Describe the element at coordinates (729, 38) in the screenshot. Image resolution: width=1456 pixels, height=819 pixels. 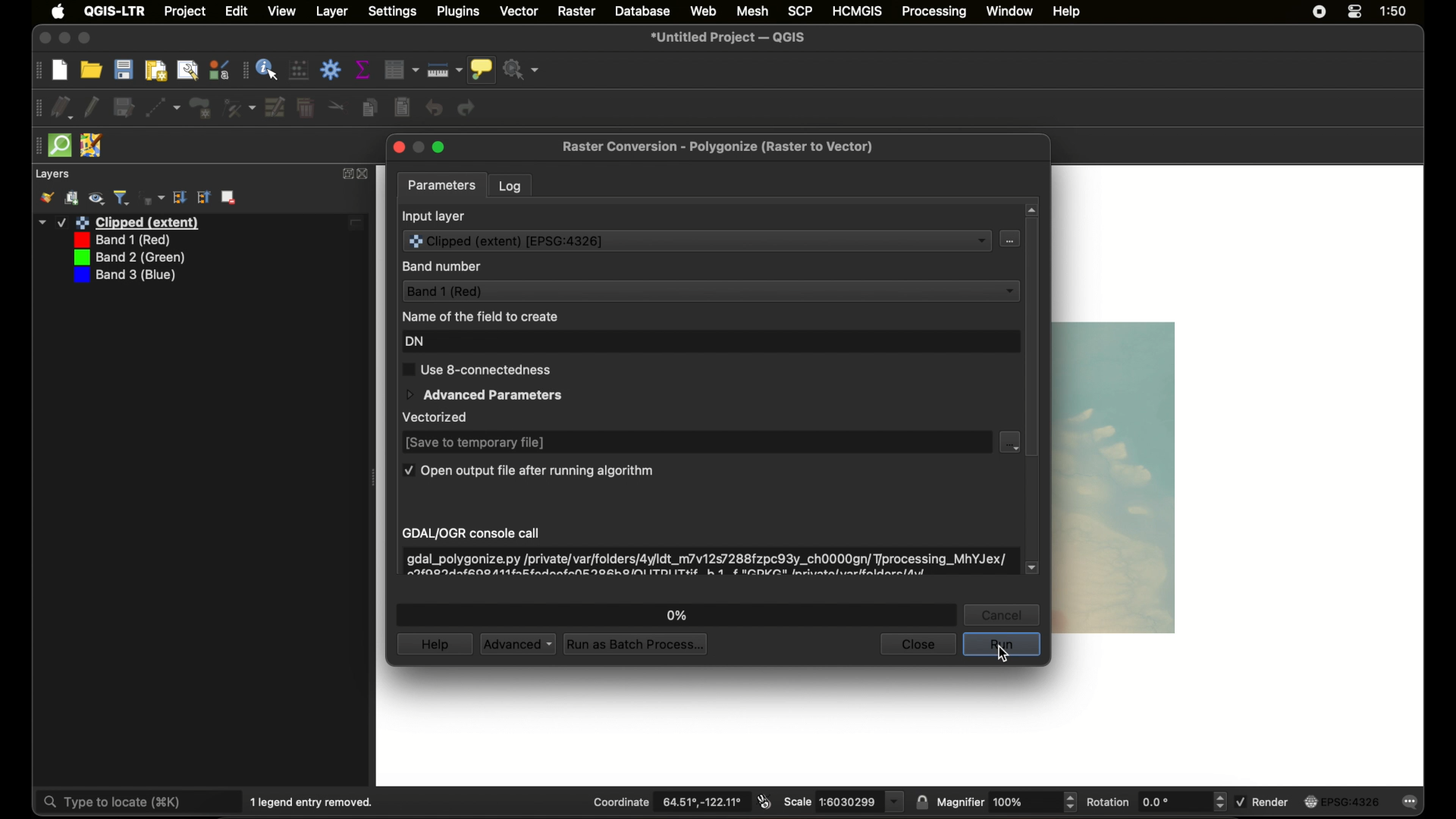
I see `untitled project  - QGIS` at that location.